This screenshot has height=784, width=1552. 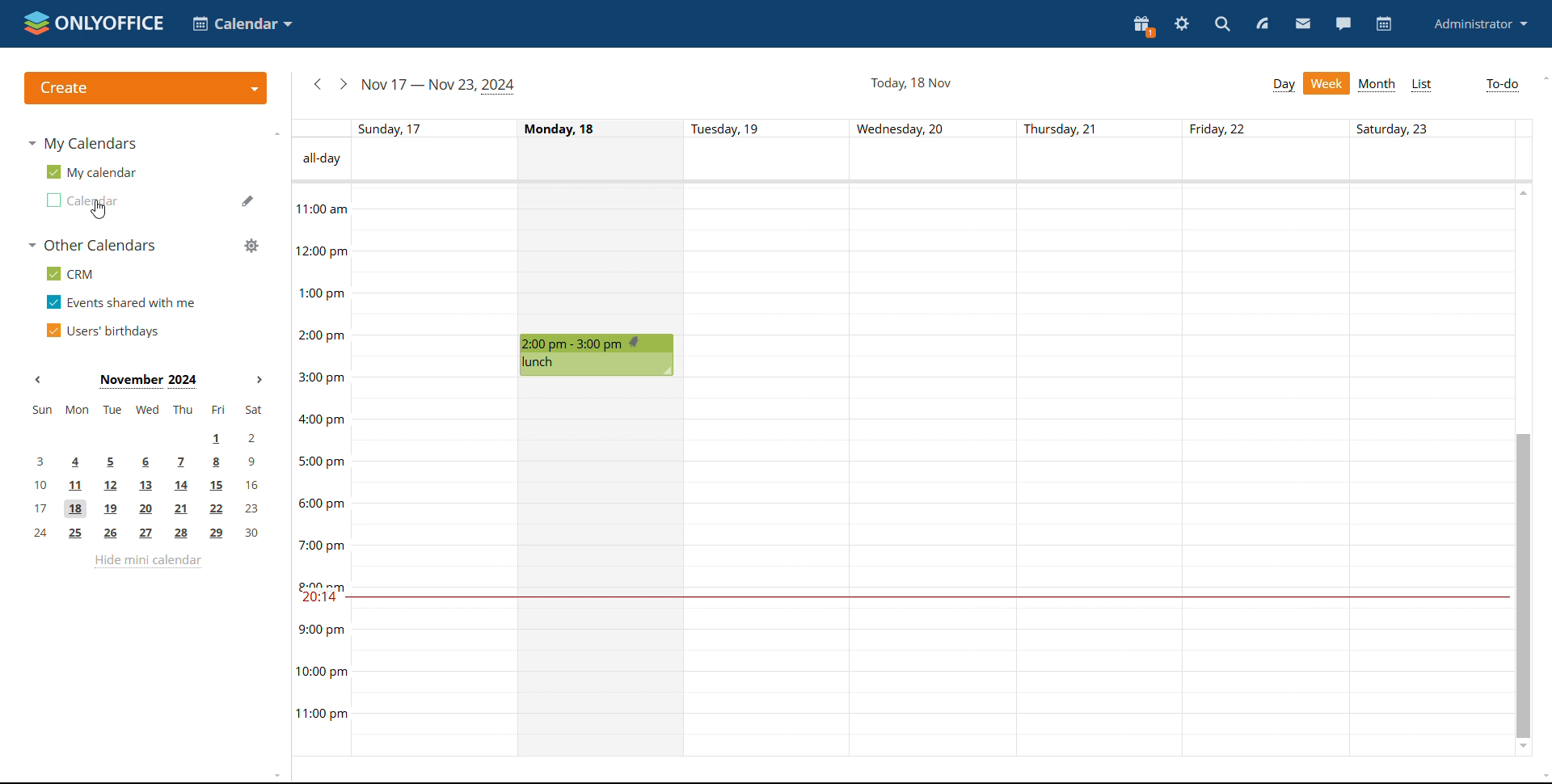 I want to click on feed, so click(x=1262, y=23).